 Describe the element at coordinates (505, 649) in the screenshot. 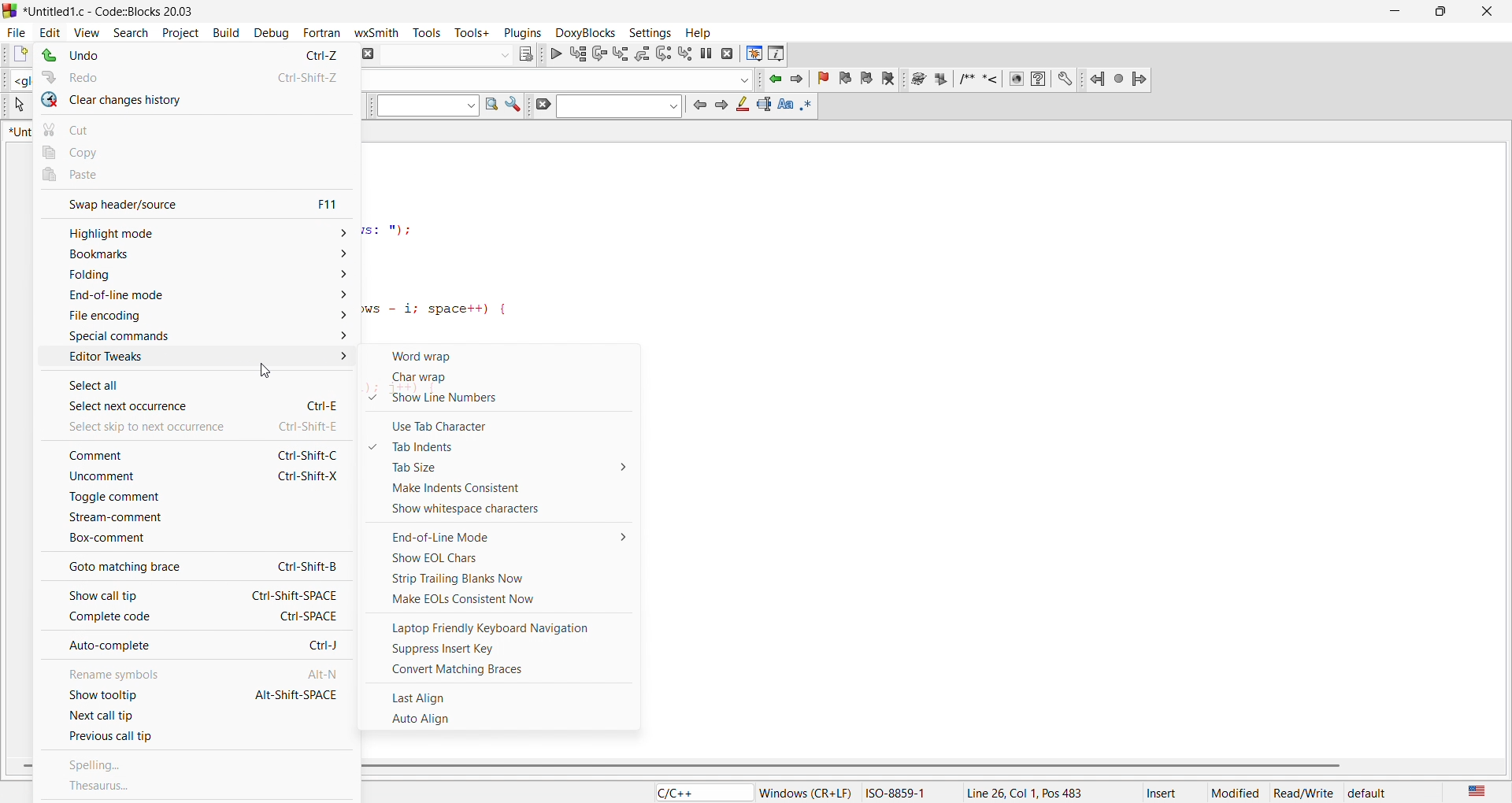

I see `supress insert key` at that location.